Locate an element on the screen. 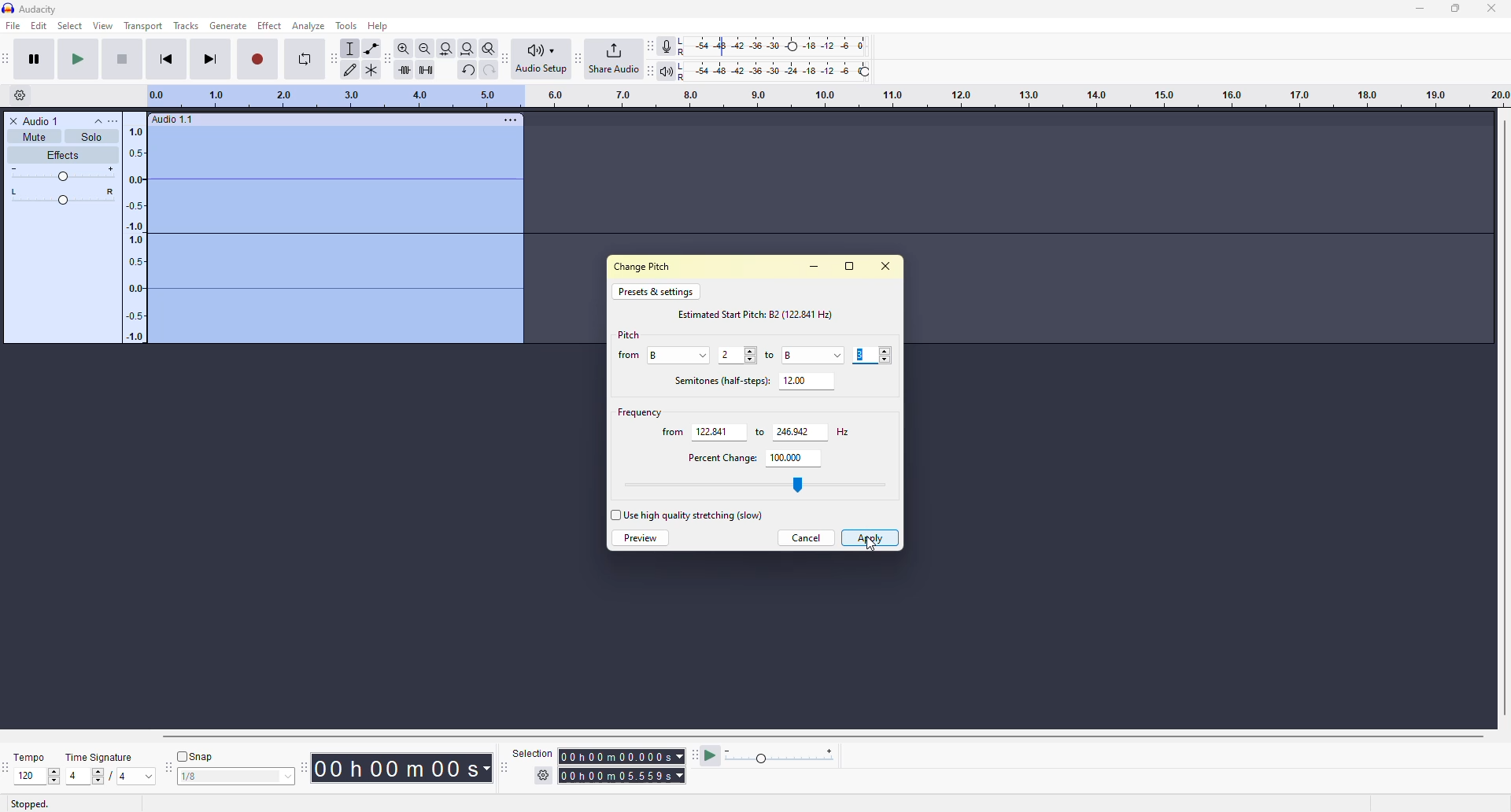  2 is located at coordinates (729, 355).